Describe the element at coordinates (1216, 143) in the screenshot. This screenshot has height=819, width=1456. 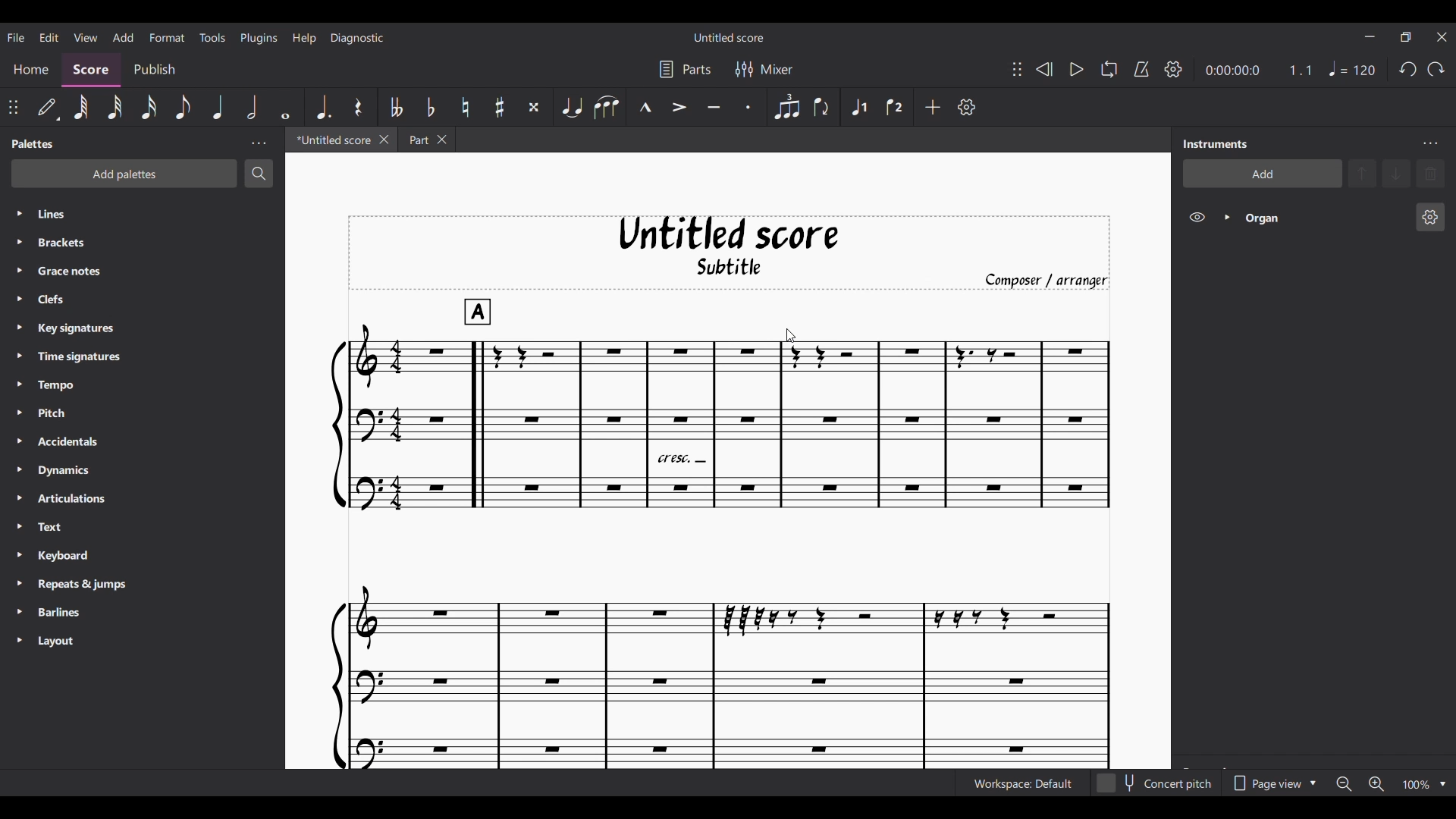
I see `Panel title` at that location.